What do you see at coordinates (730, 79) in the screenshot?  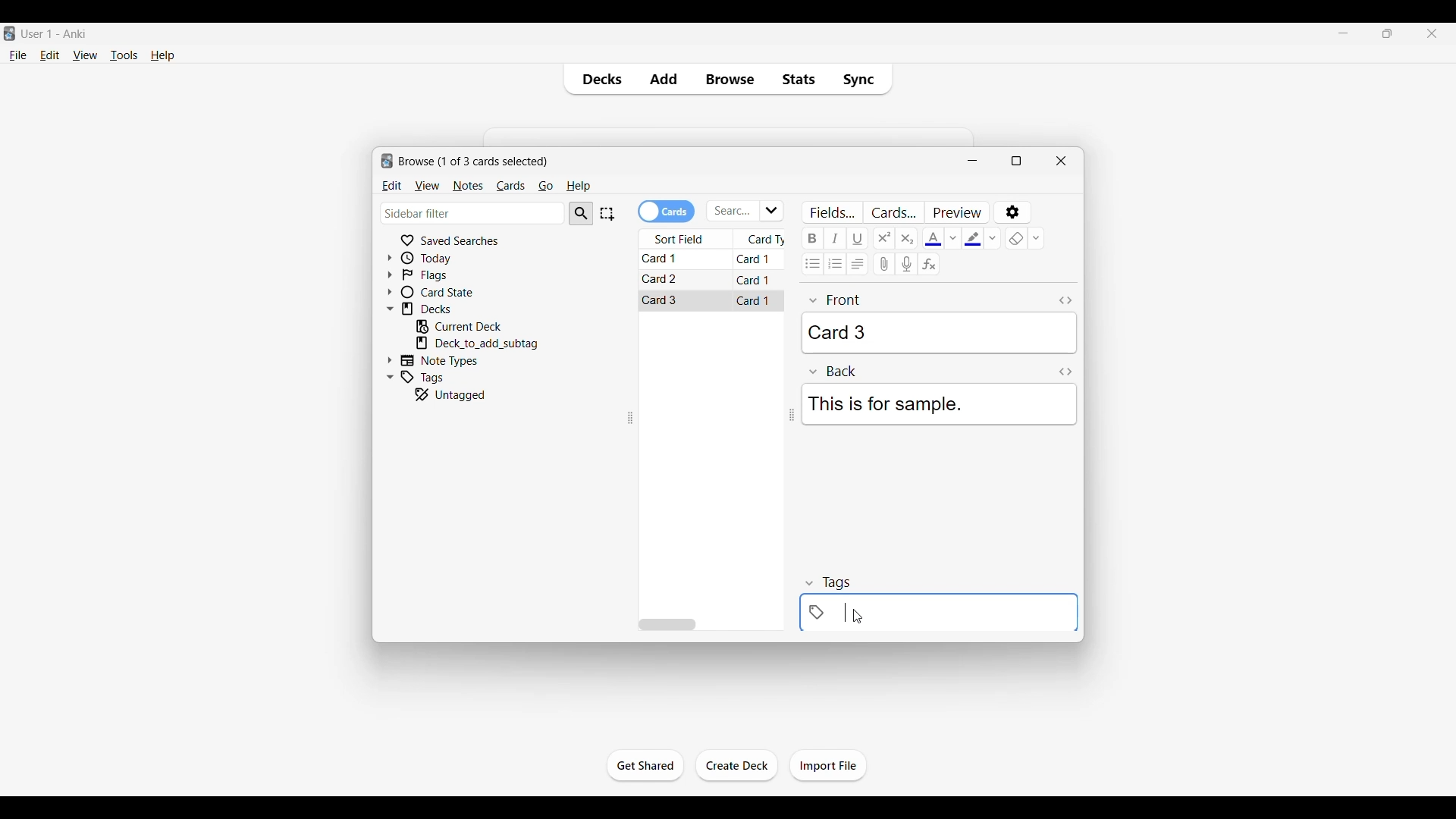 I see `Browse` at bounding box center [730, 79].